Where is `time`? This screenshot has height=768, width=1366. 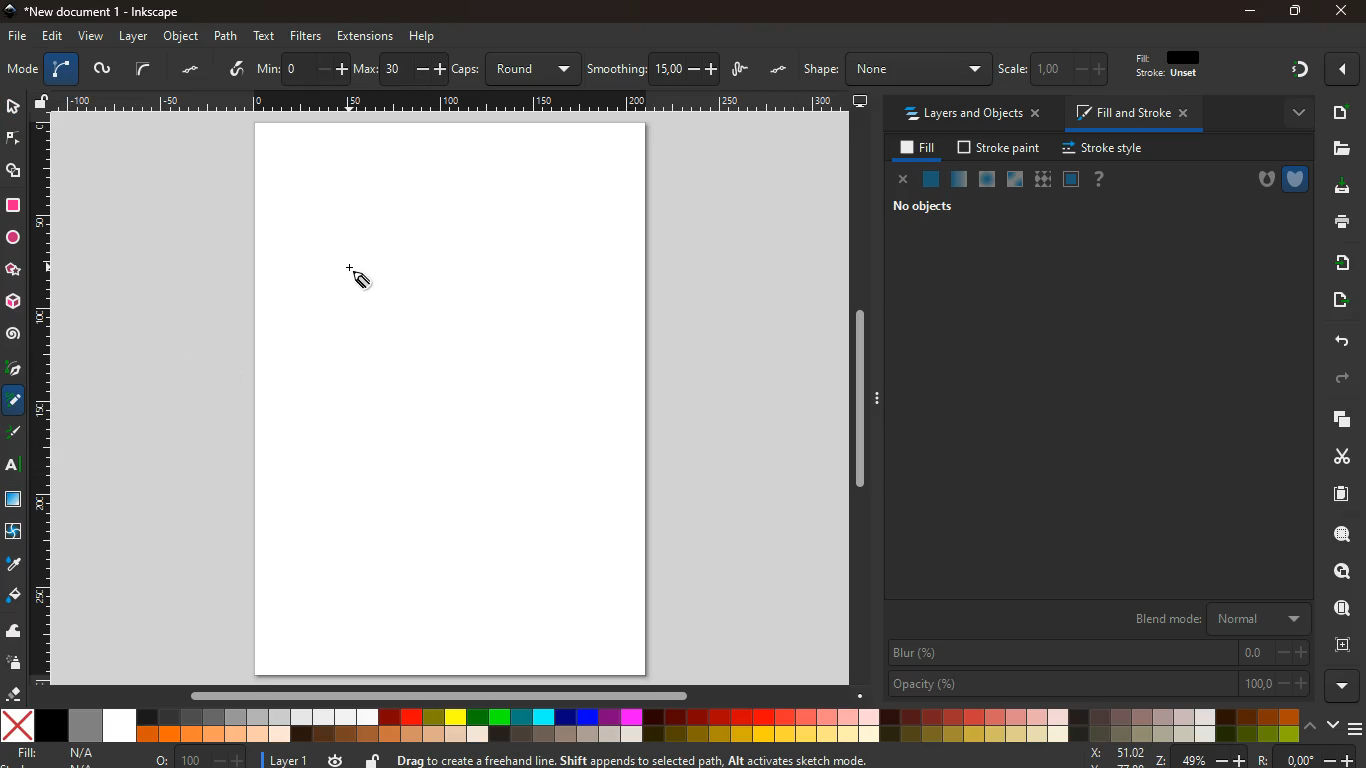
time is located at coordinates (336, 760).